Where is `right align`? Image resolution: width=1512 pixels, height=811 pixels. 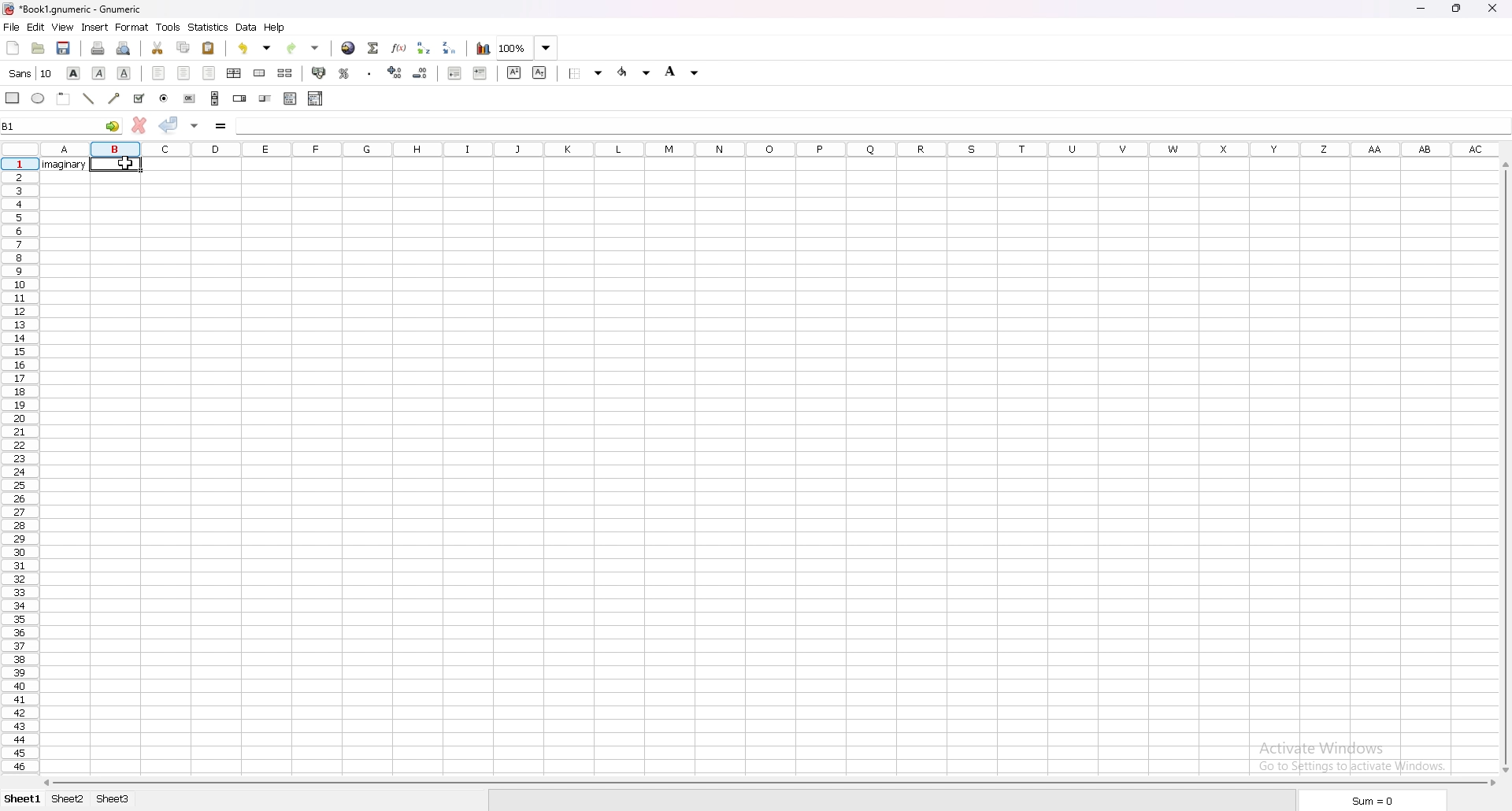
right align is located at coordinates (209, 72).